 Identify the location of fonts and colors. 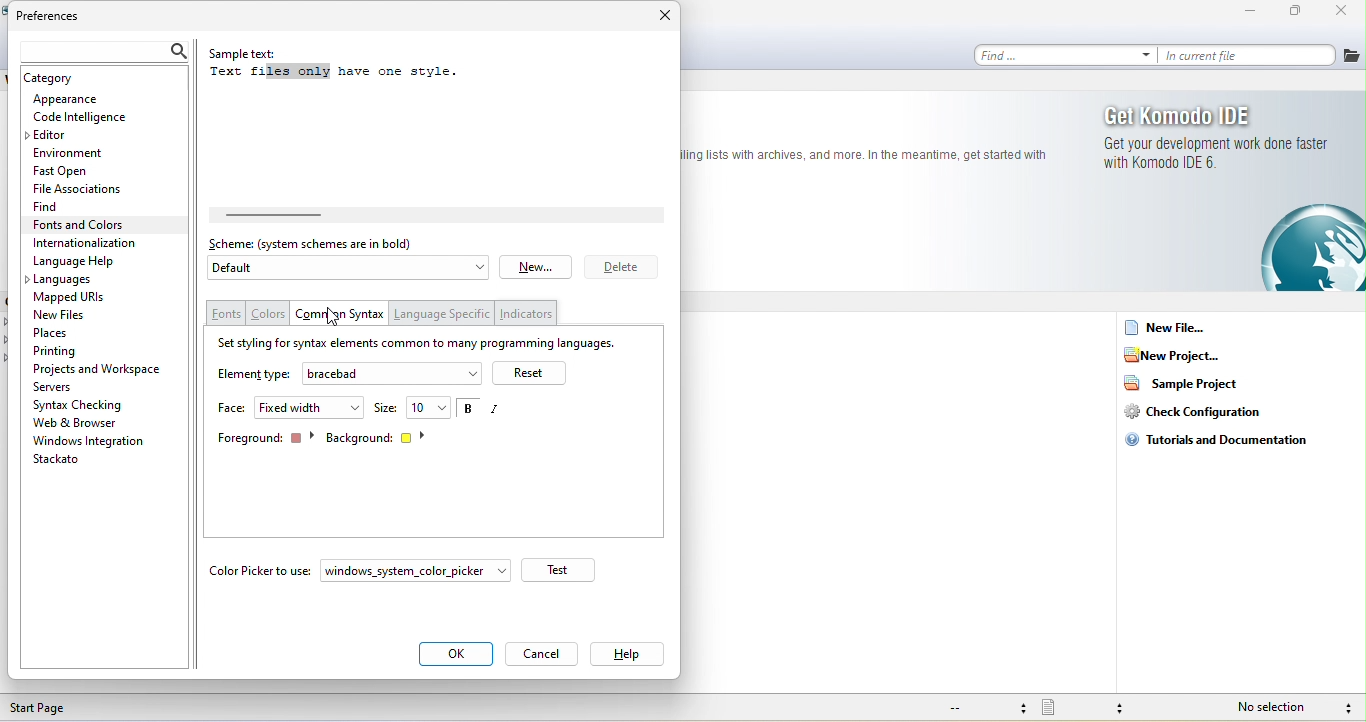
(97, 224).